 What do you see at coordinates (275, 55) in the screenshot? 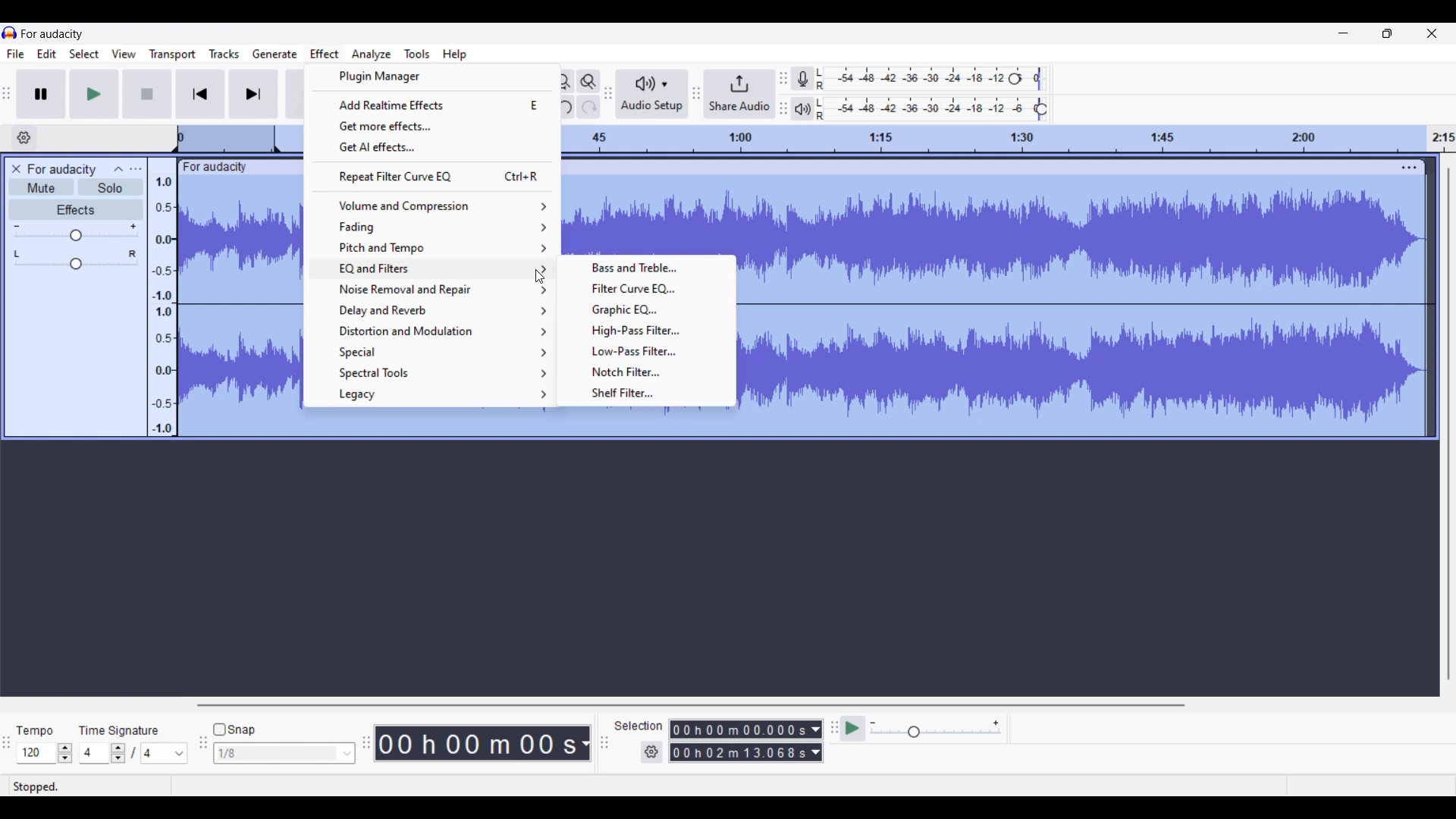
I see `Generate menu` at bounding box center [275, 55].